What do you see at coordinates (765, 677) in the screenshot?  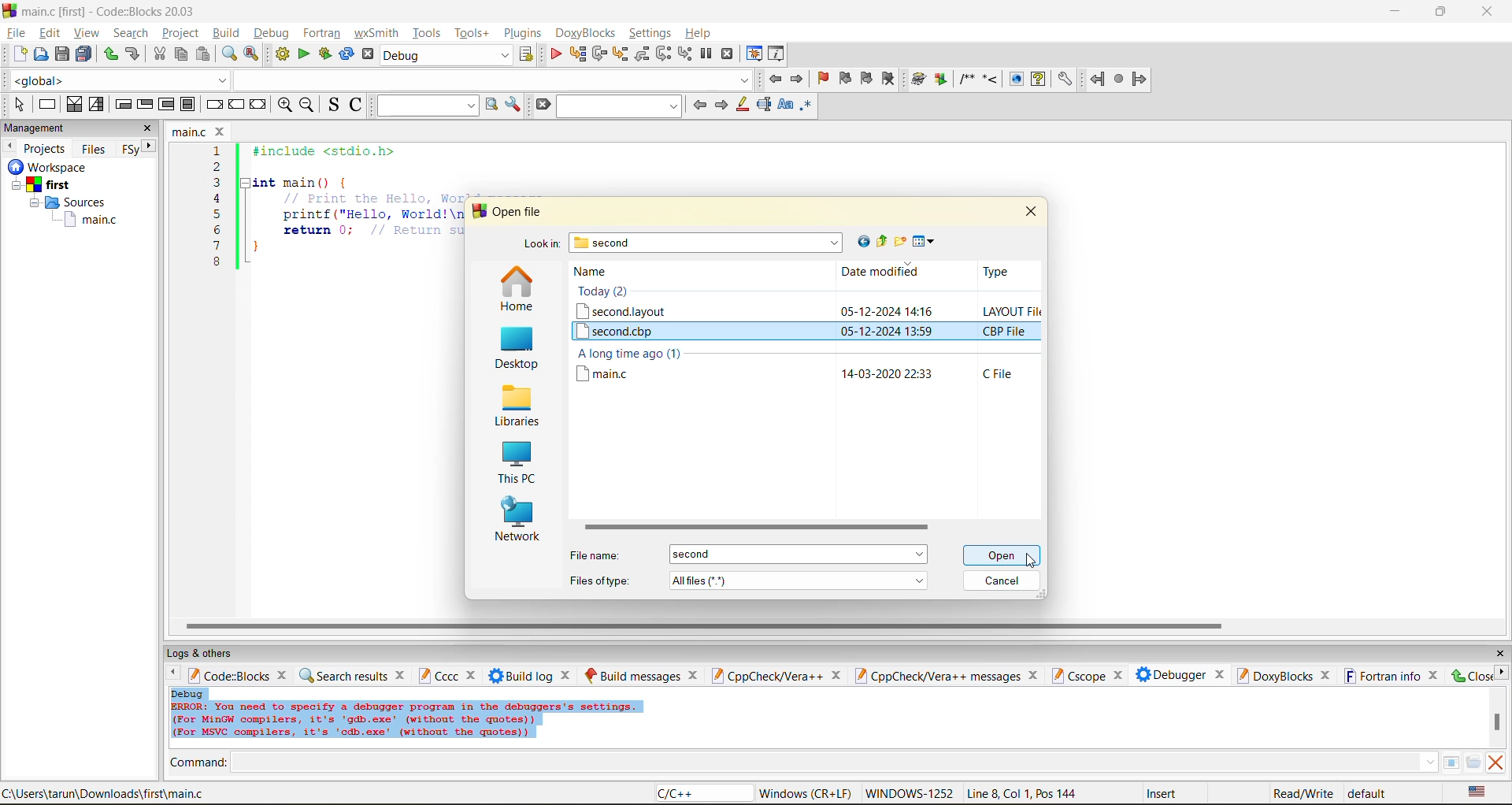 I see `cppcheck/vera++` at bounding box center [765, 677].